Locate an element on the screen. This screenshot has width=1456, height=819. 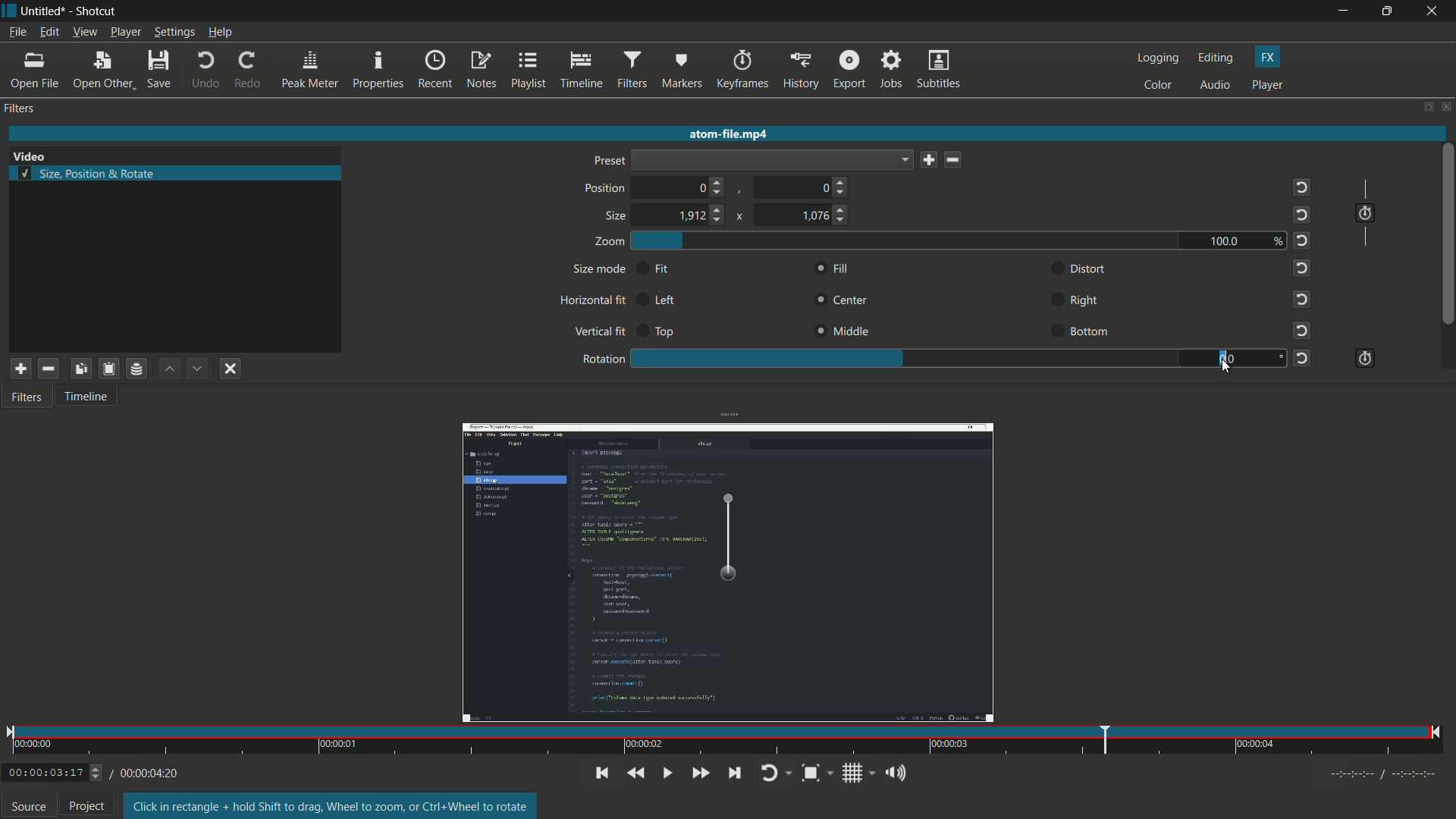
x is located at coordinates (742, 217).